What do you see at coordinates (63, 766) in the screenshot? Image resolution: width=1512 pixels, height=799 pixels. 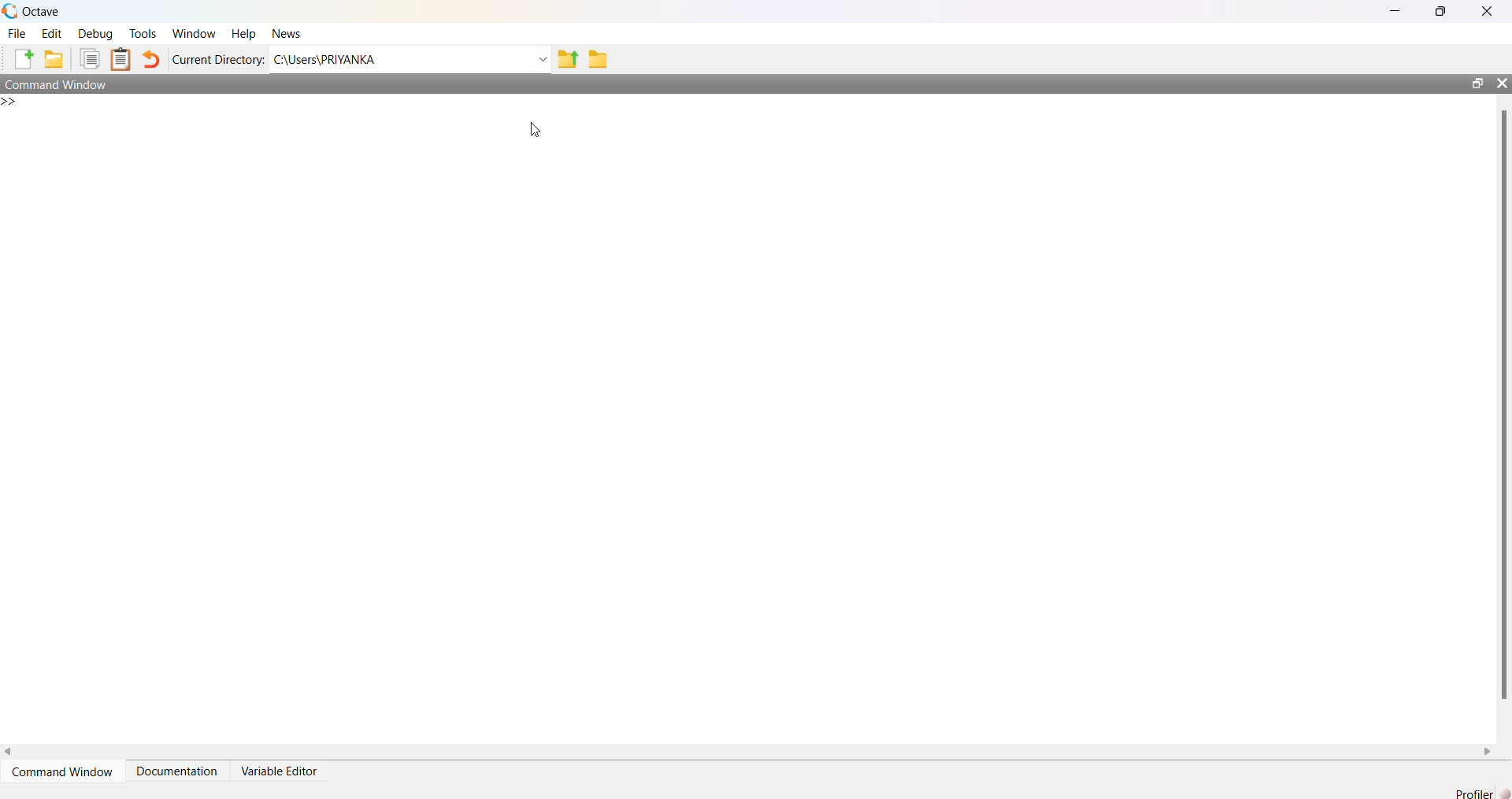 I see `‘Command Window` at bounding box center [63, 766].